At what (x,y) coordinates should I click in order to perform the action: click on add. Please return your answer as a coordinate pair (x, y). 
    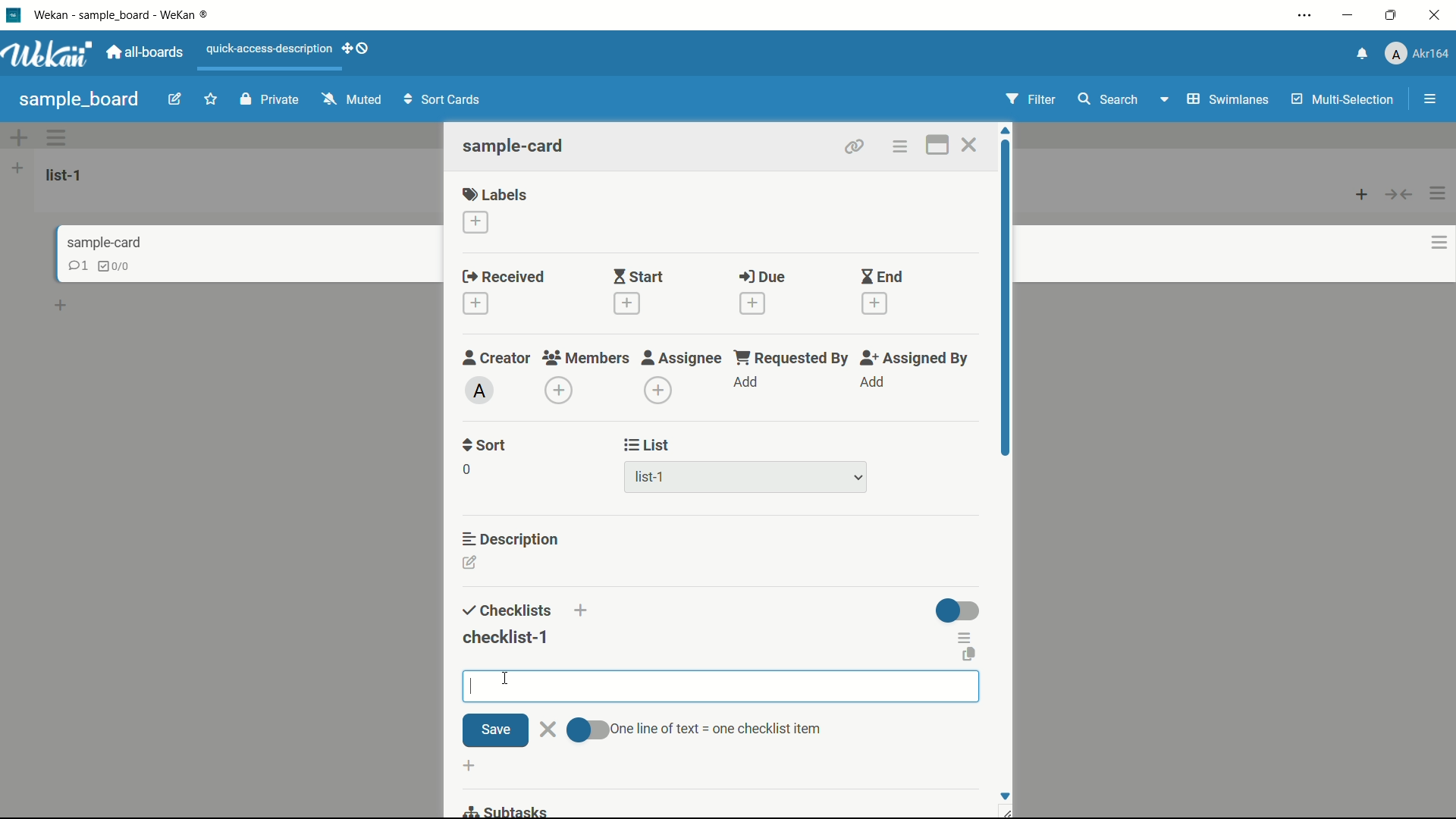
    Looking at the image, I should click on (874, 381).